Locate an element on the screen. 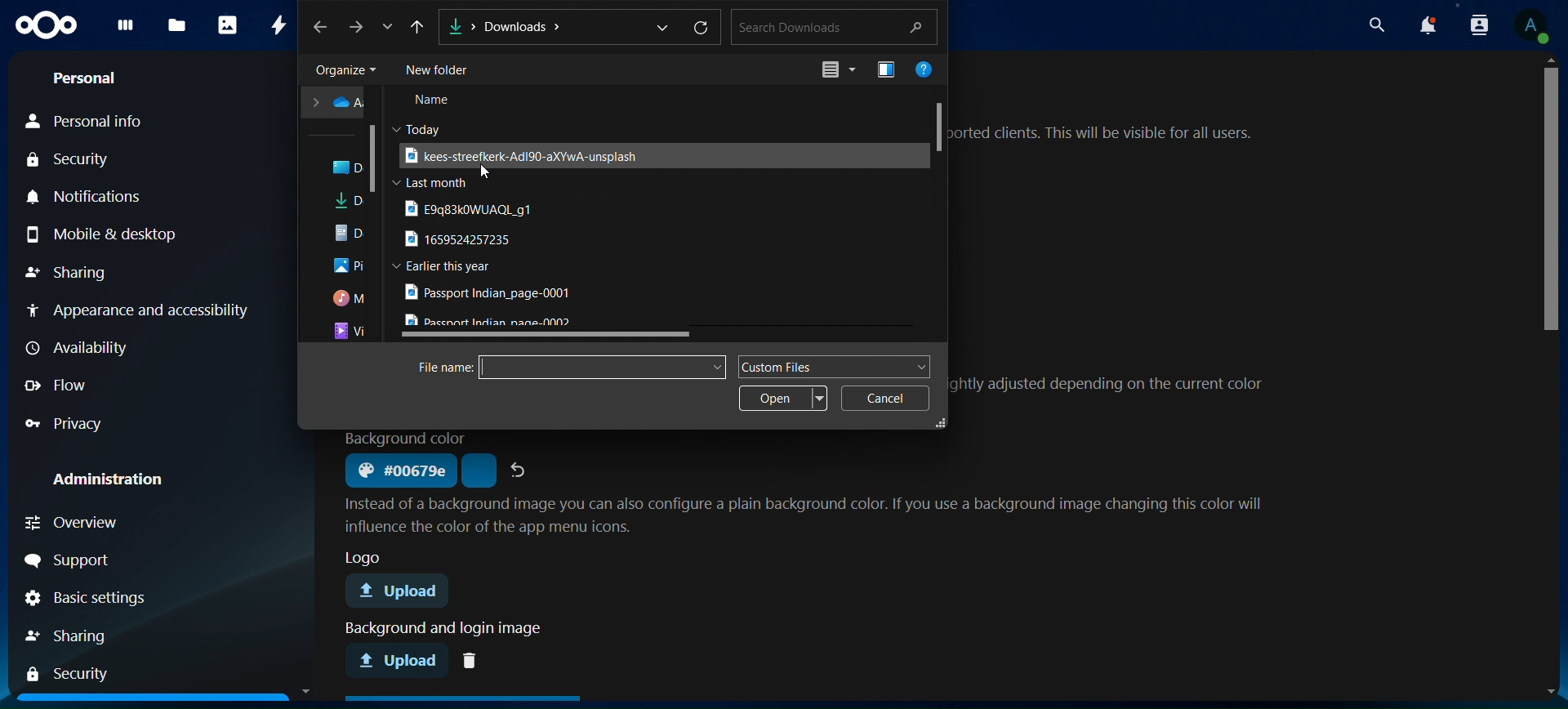 Image resolution: width=1568 pixels, height=709 pixels. cursor is located at coordinates (489, 172).